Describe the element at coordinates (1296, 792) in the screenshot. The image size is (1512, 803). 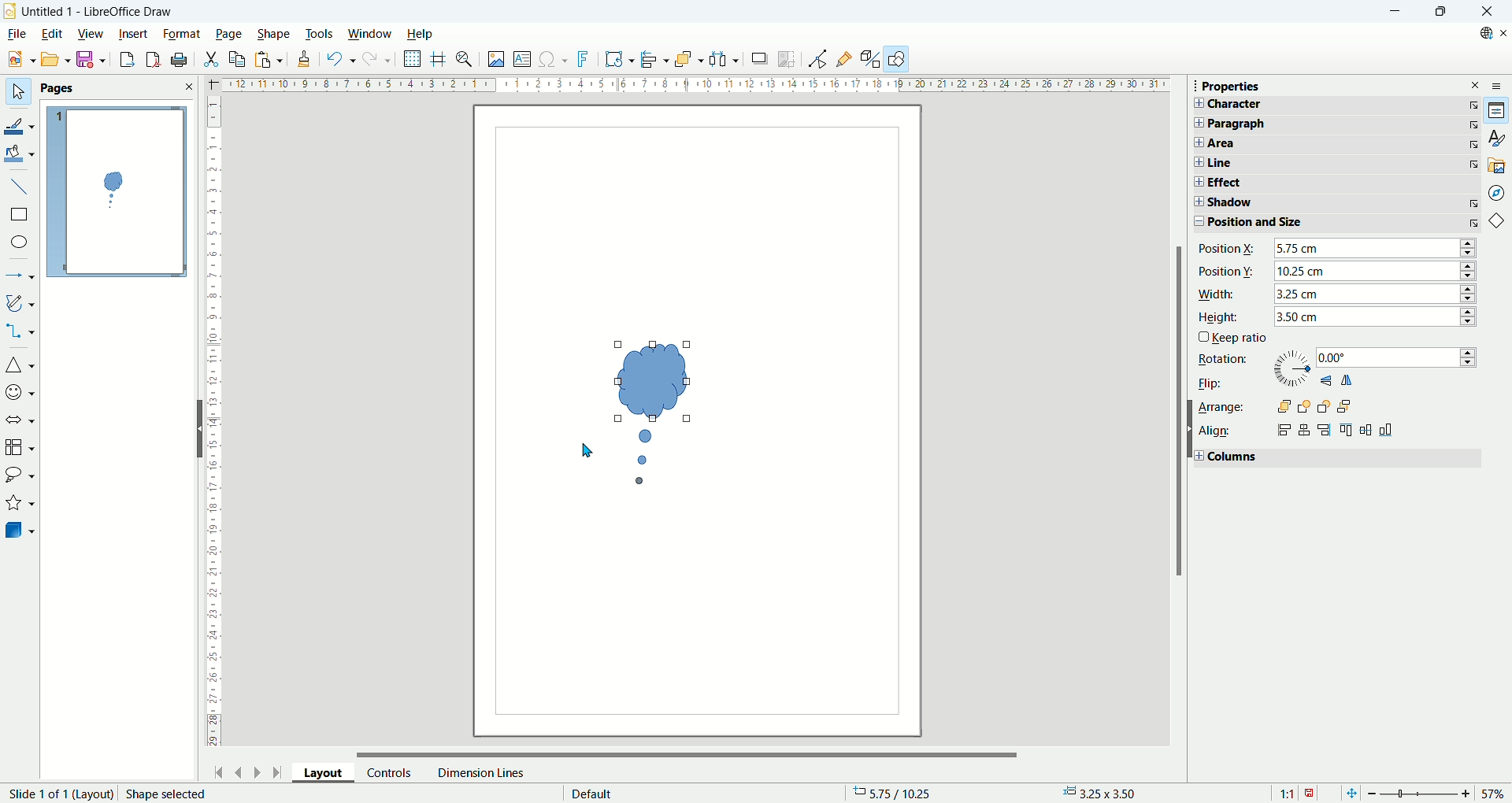
I see `scaling factor` at that location.